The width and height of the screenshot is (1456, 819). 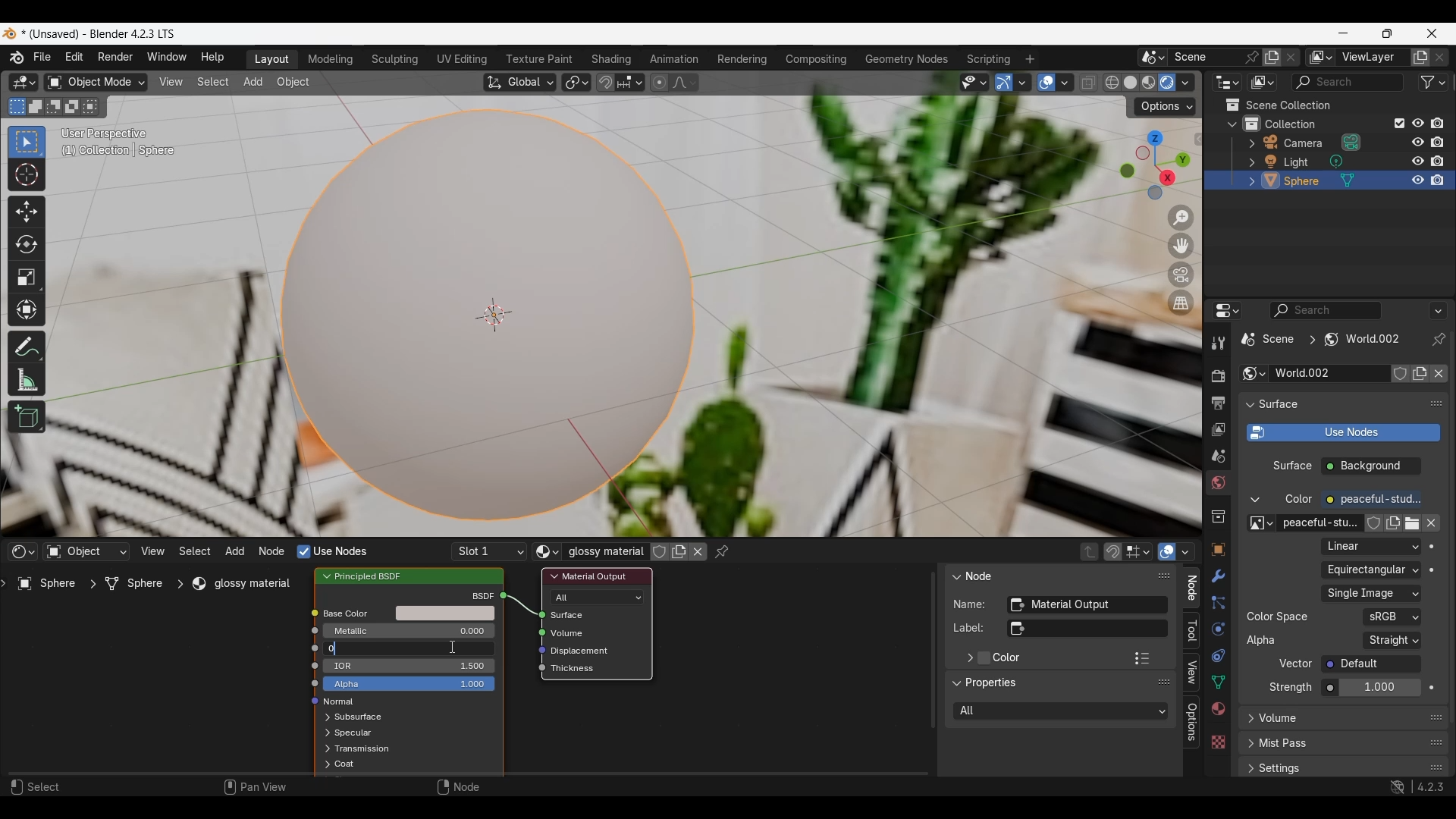 I want to click on Add color to material output panel, so click(x=984, y=658).